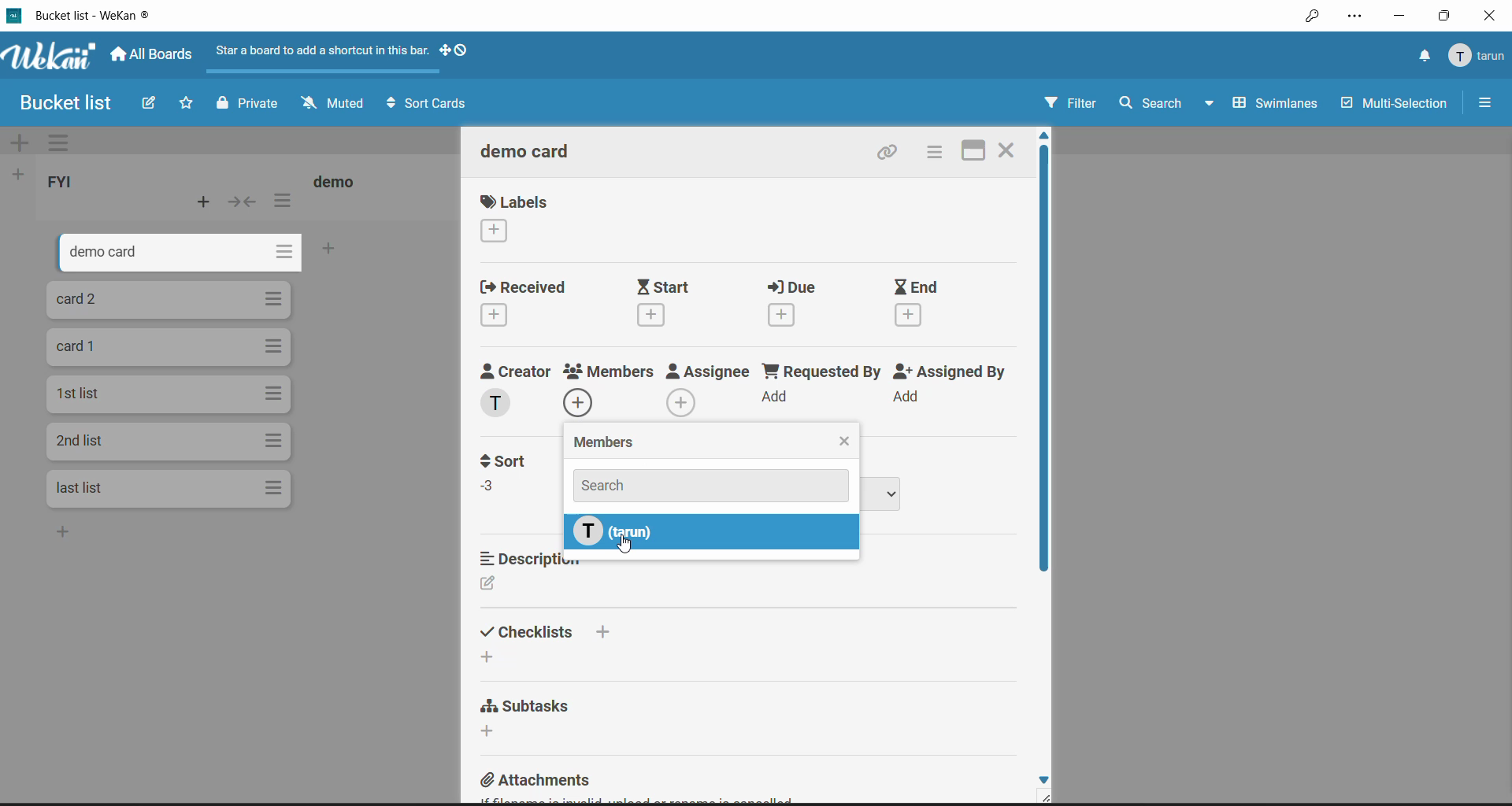  Describe the element at coordinates (614, 371) in the screenshot. I see `members` at that location.